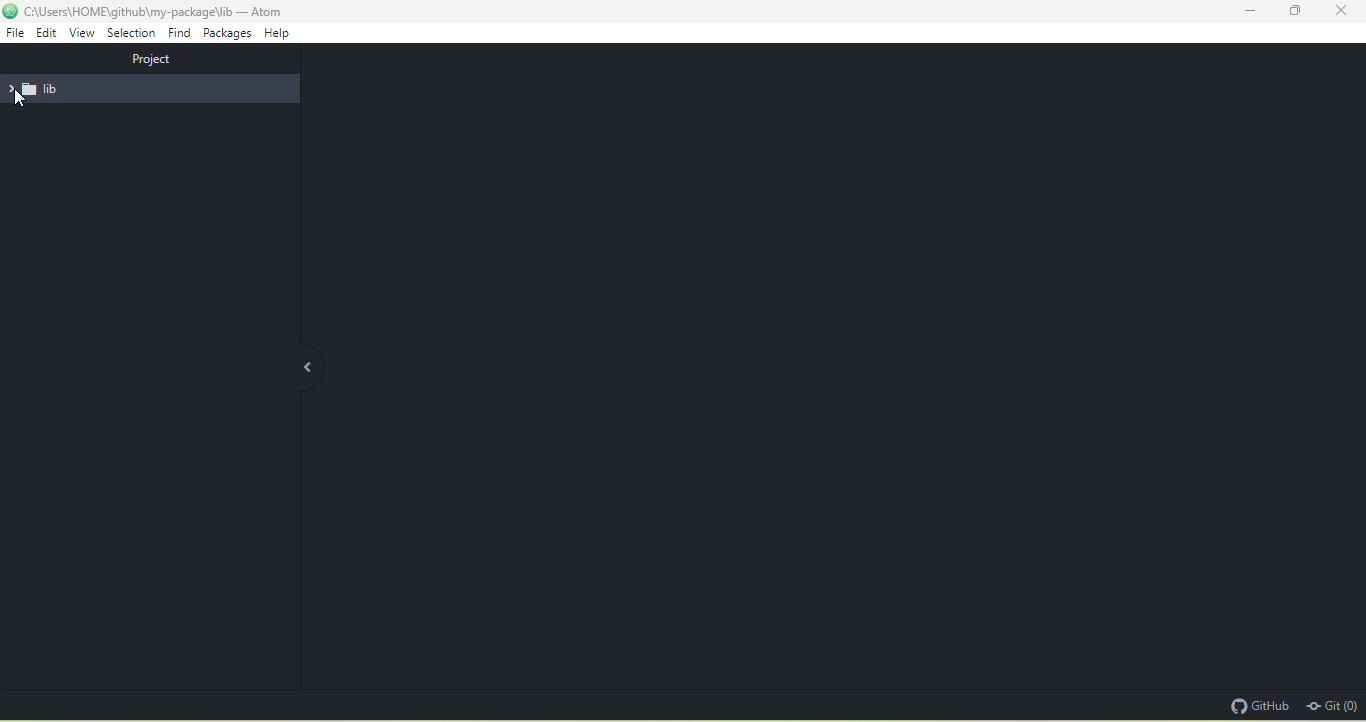  What do you see at coordinates (307, 363) in the screenshot?
I see `collapse` at bounding box center [307, 363].